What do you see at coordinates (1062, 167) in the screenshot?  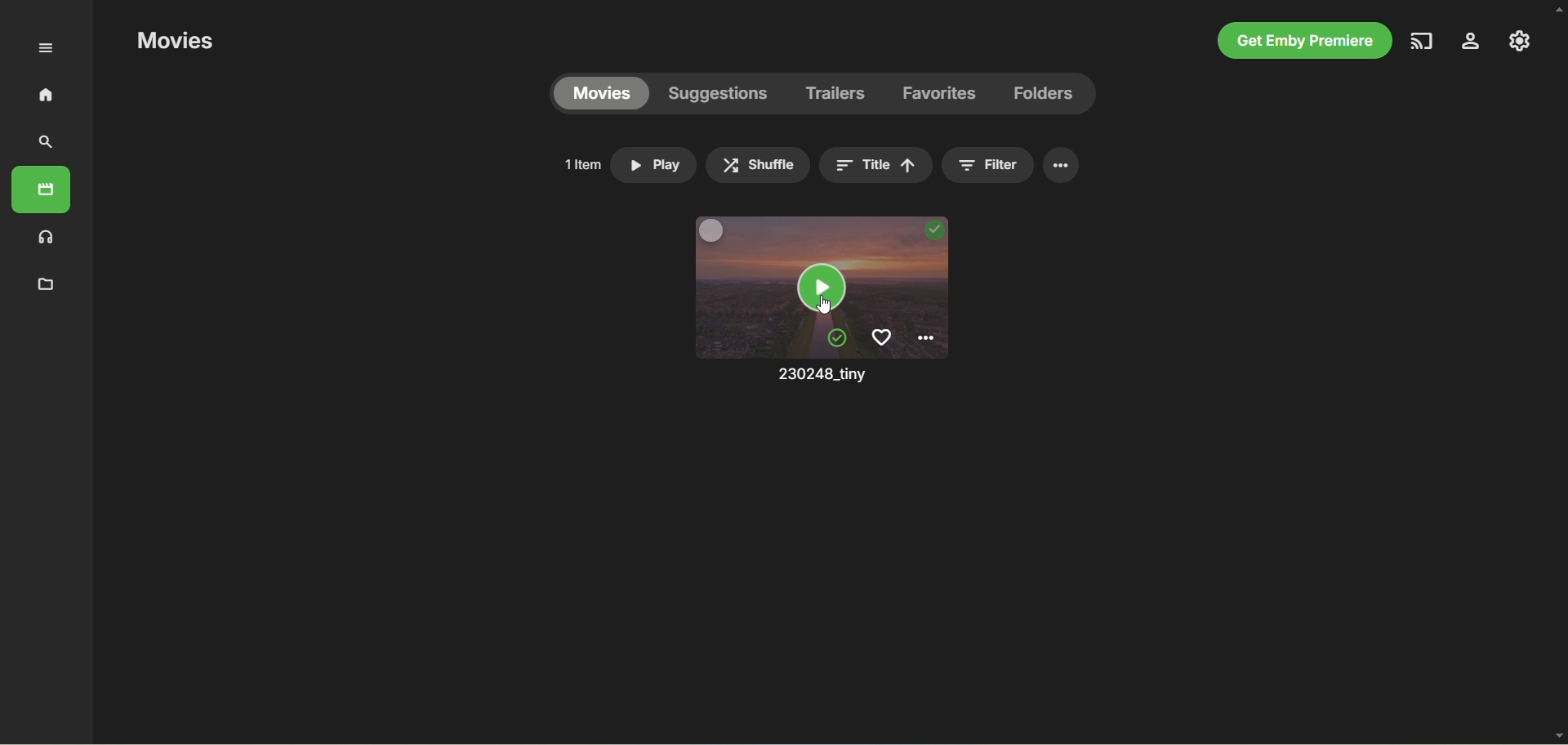 I see `options` at bounding box center [1062, 167].